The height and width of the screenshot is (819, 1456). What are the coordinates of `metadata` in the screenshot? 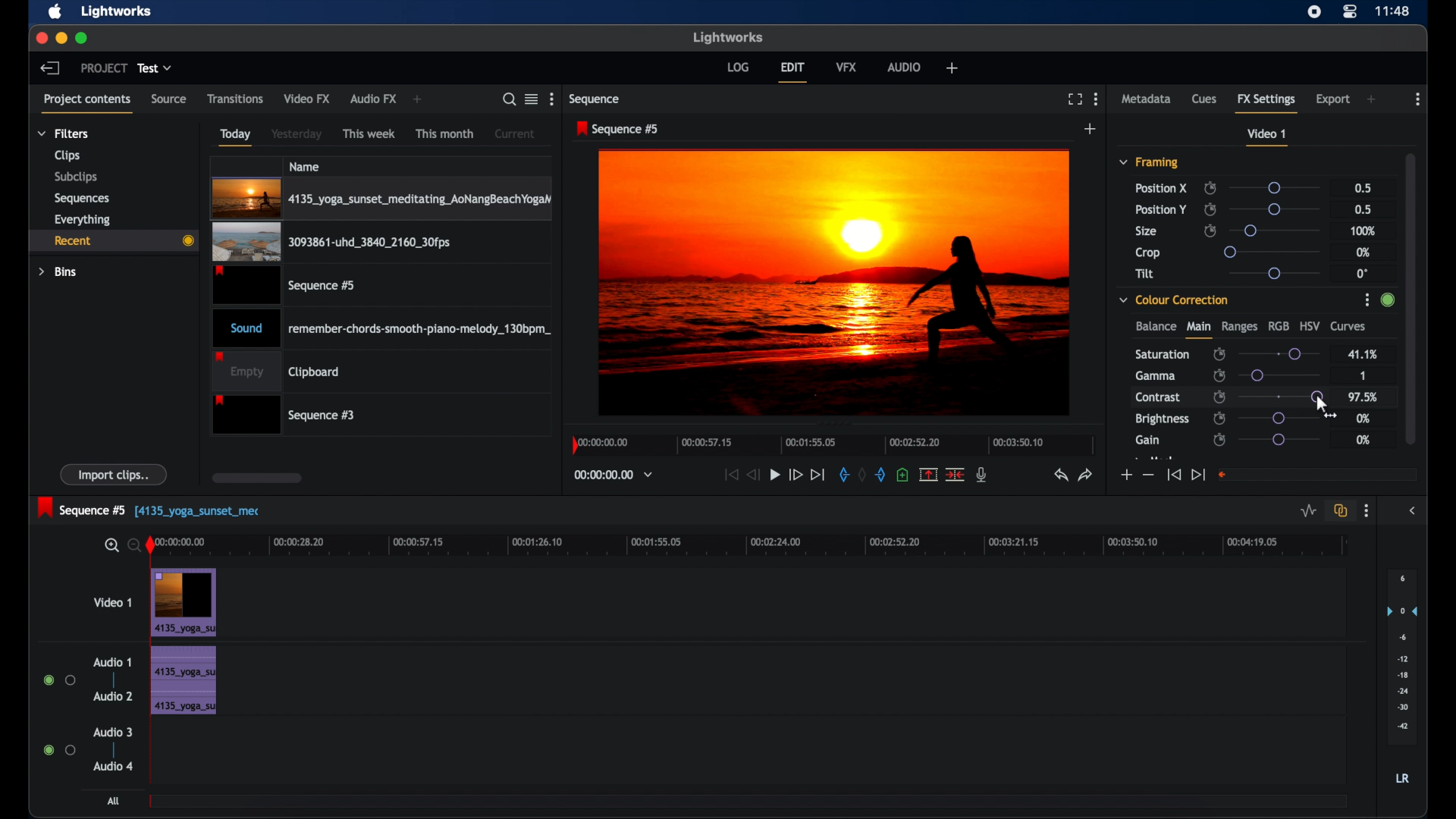 It's located at (1147, 99).